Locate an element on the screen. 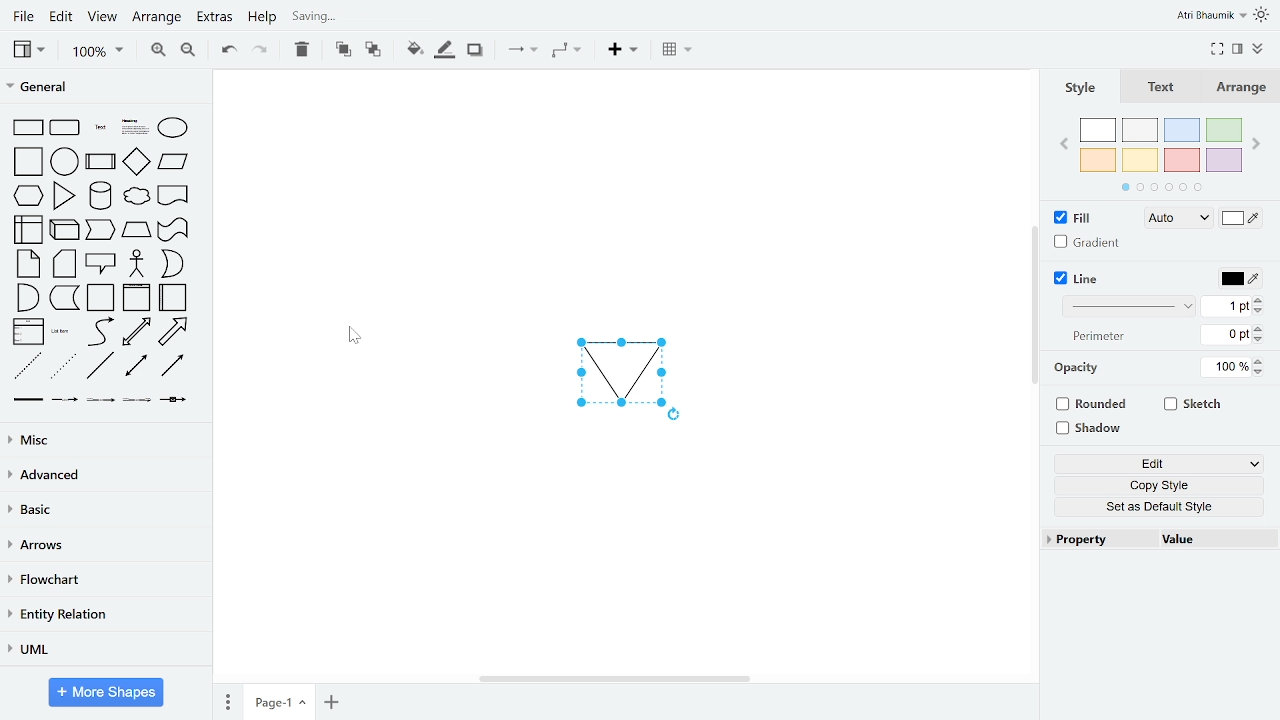  hexagon is located at coordinates (26, 195).